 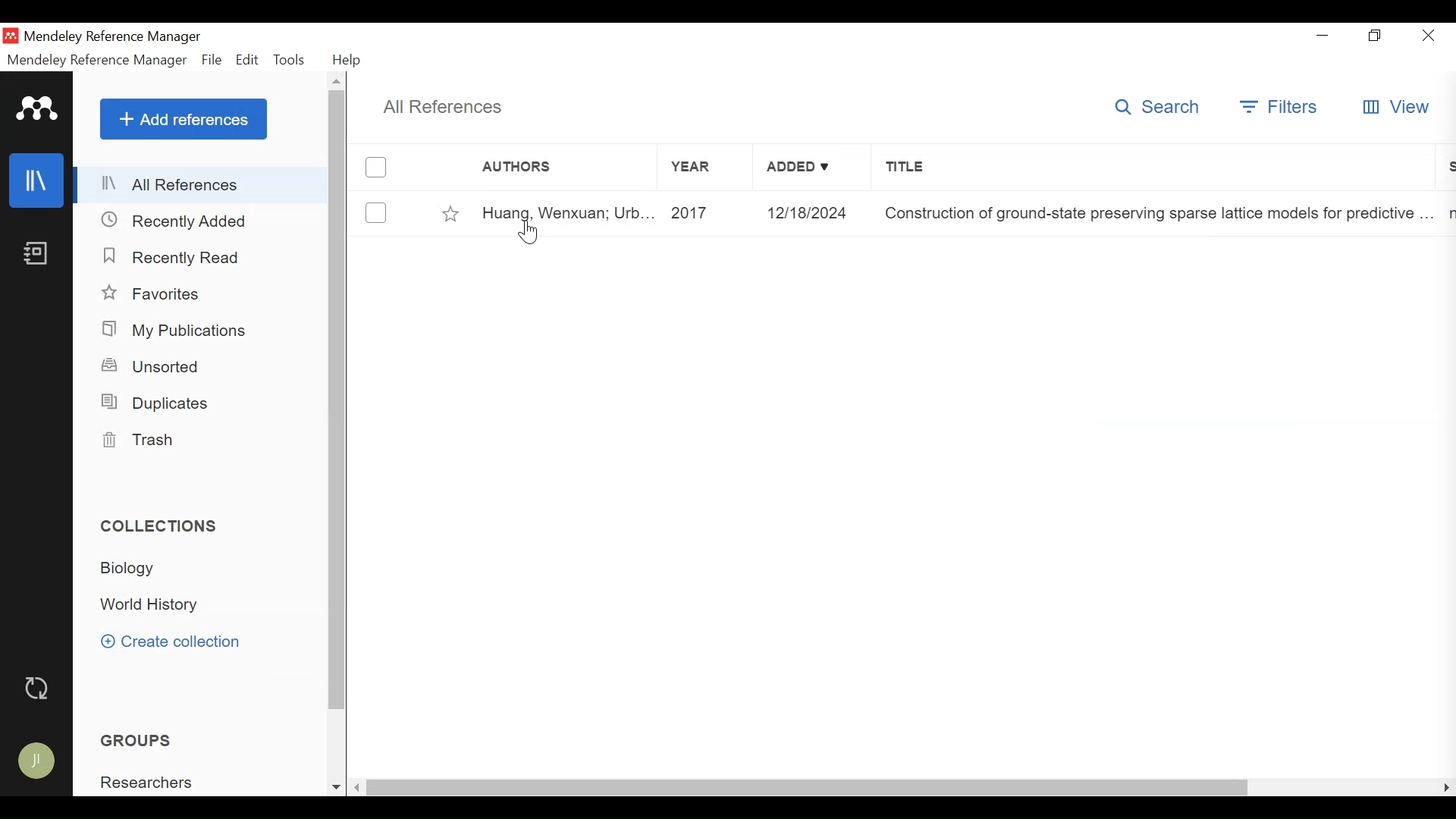 What do you see at coordinates (1162, 106) in the screenshot?
I see `Search` at bounding box center [1162, 106].